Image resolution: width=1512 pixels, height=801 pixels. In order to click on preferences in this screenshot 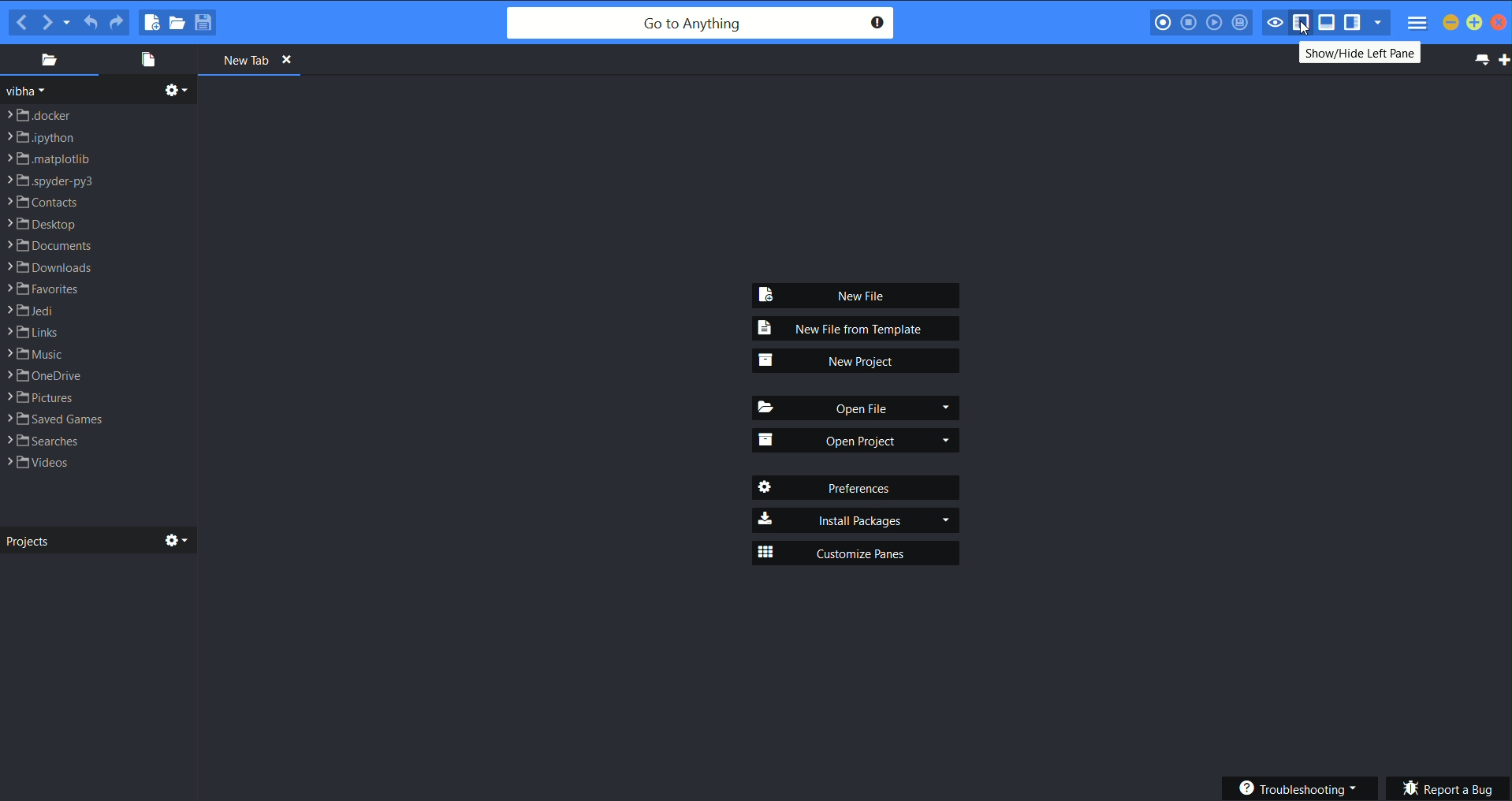, I will do `click(856, 487)`.